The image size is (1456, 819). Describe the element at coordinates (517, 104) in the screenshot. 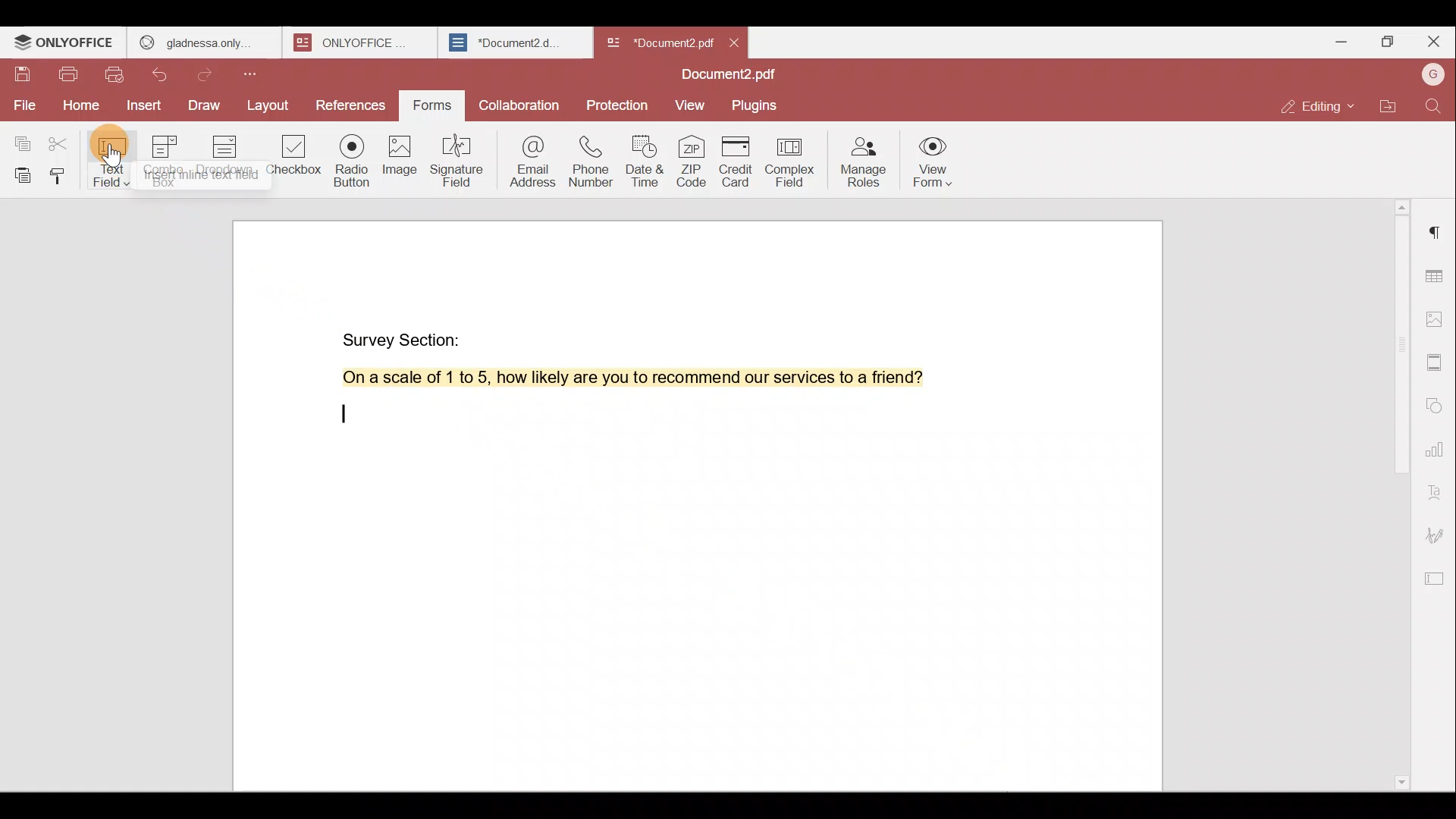

I see `Collaboration` at that location.